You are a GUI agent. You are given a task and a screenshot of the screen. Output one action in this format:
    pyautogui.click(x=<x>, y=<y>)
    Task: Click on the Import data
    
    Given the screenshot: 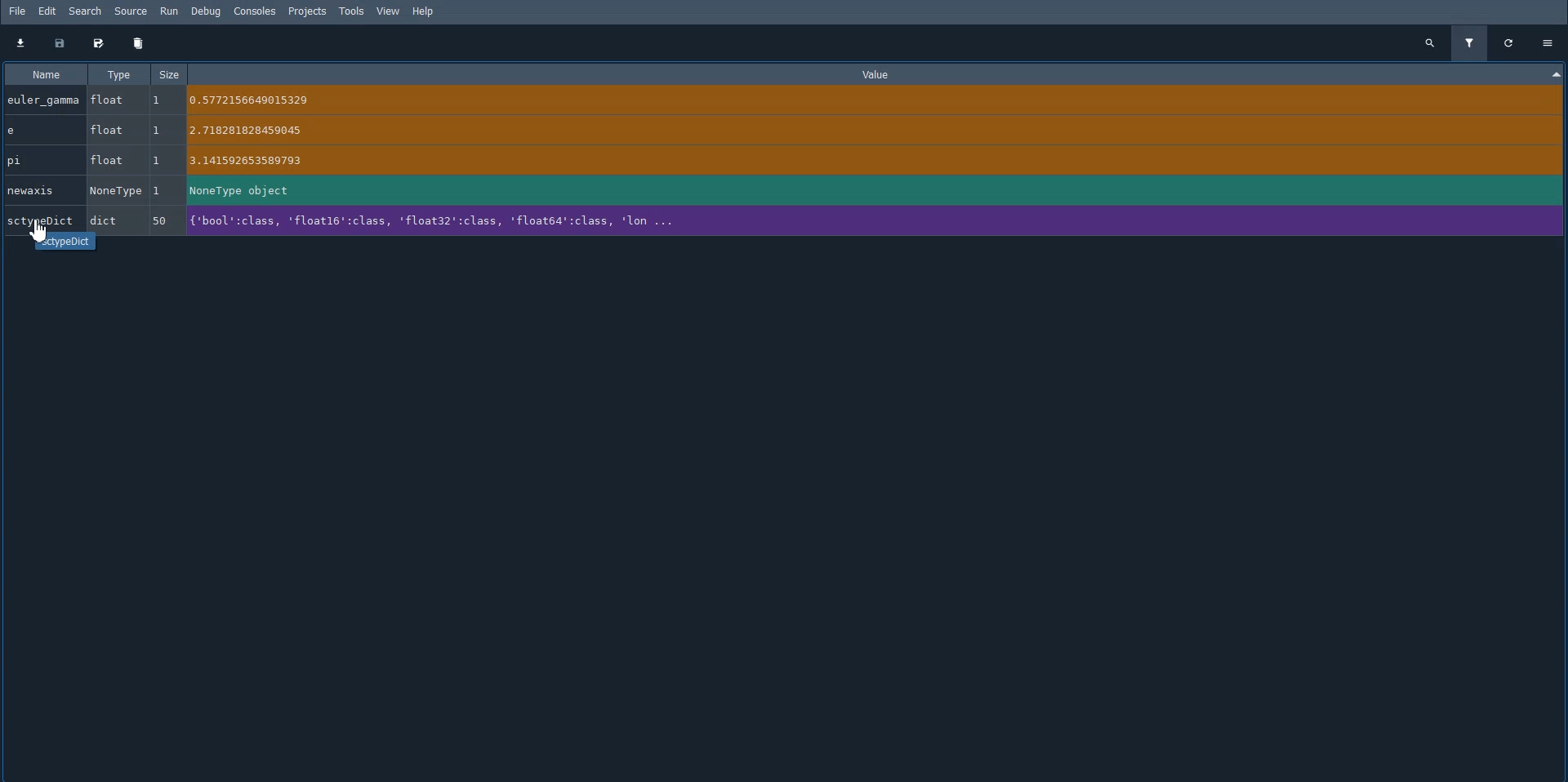 What is the action you would take?
    pyautogui.click(x=21, y=43)
    